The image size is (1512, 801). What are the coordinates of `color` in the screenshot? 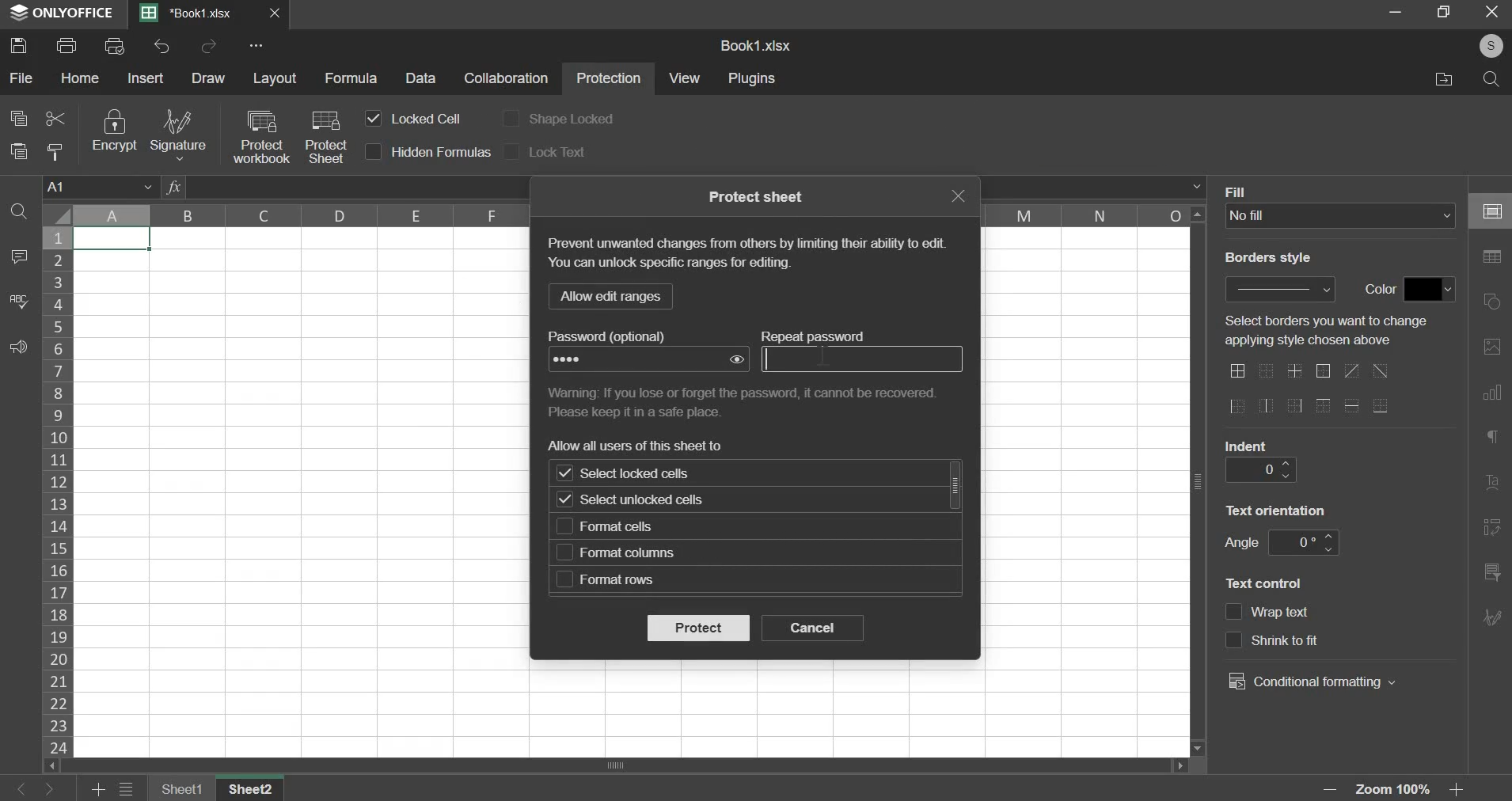 It's located at (1377, 290).